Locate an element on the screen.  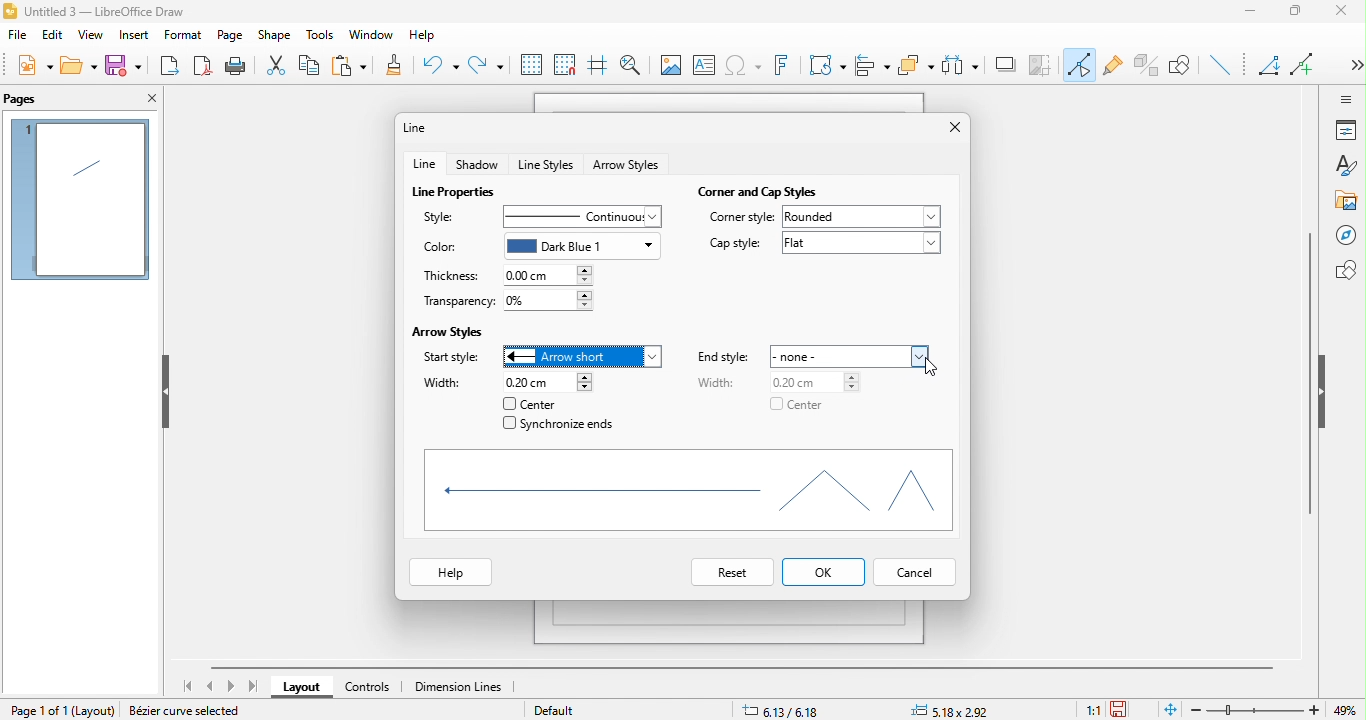
edit is located at coordinates (53, 38).